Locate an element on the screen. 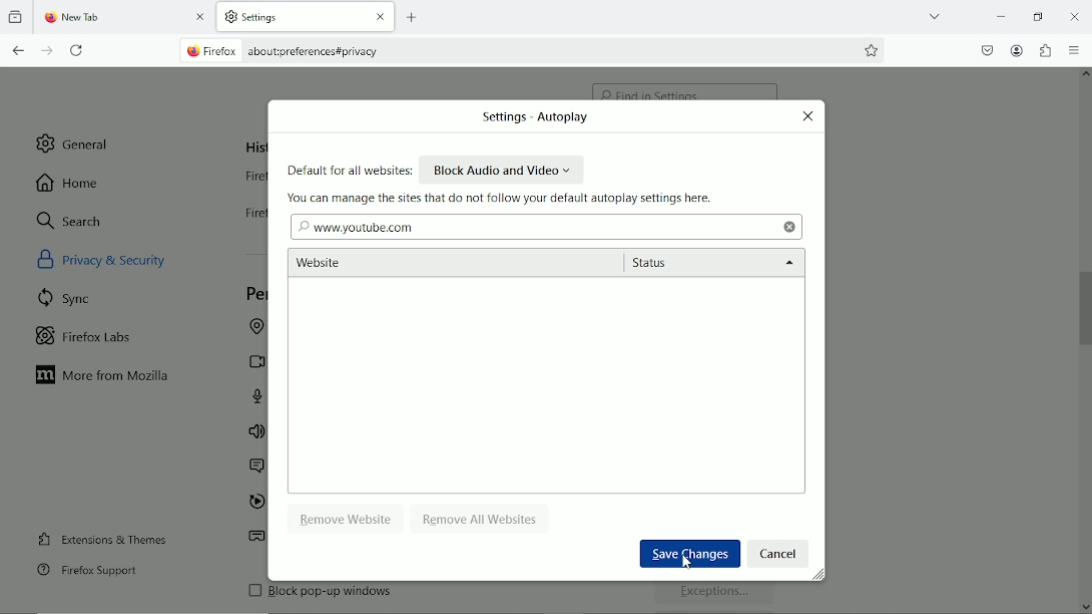 The image size is (1092, 614). firefox labs is located at coordinates (84, 334).